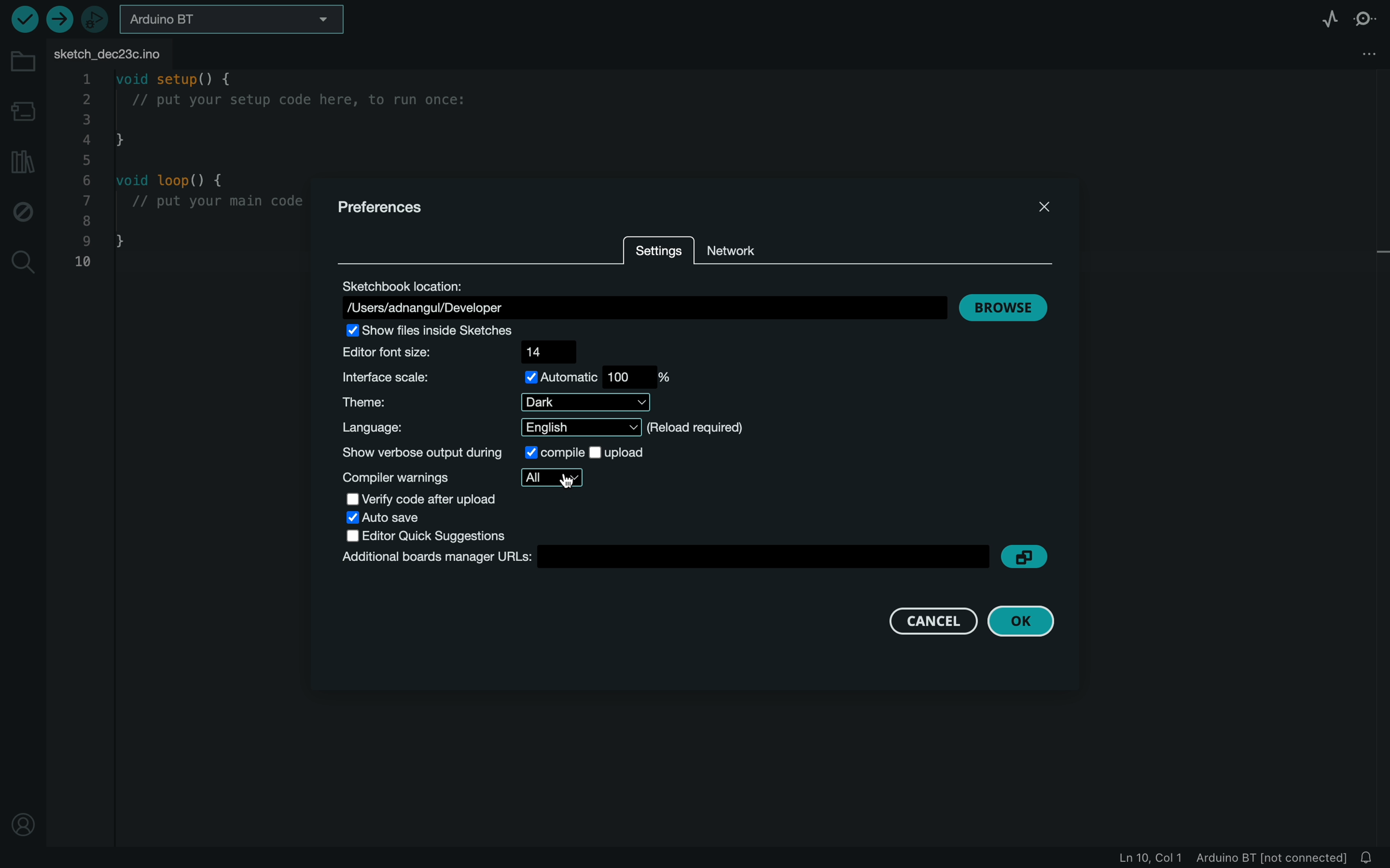 Image resolution: width=1390 pixels, height=868 pixels. Describe the element at coordinates (23, 111) in the screenshot. I see `board manager` at that location.